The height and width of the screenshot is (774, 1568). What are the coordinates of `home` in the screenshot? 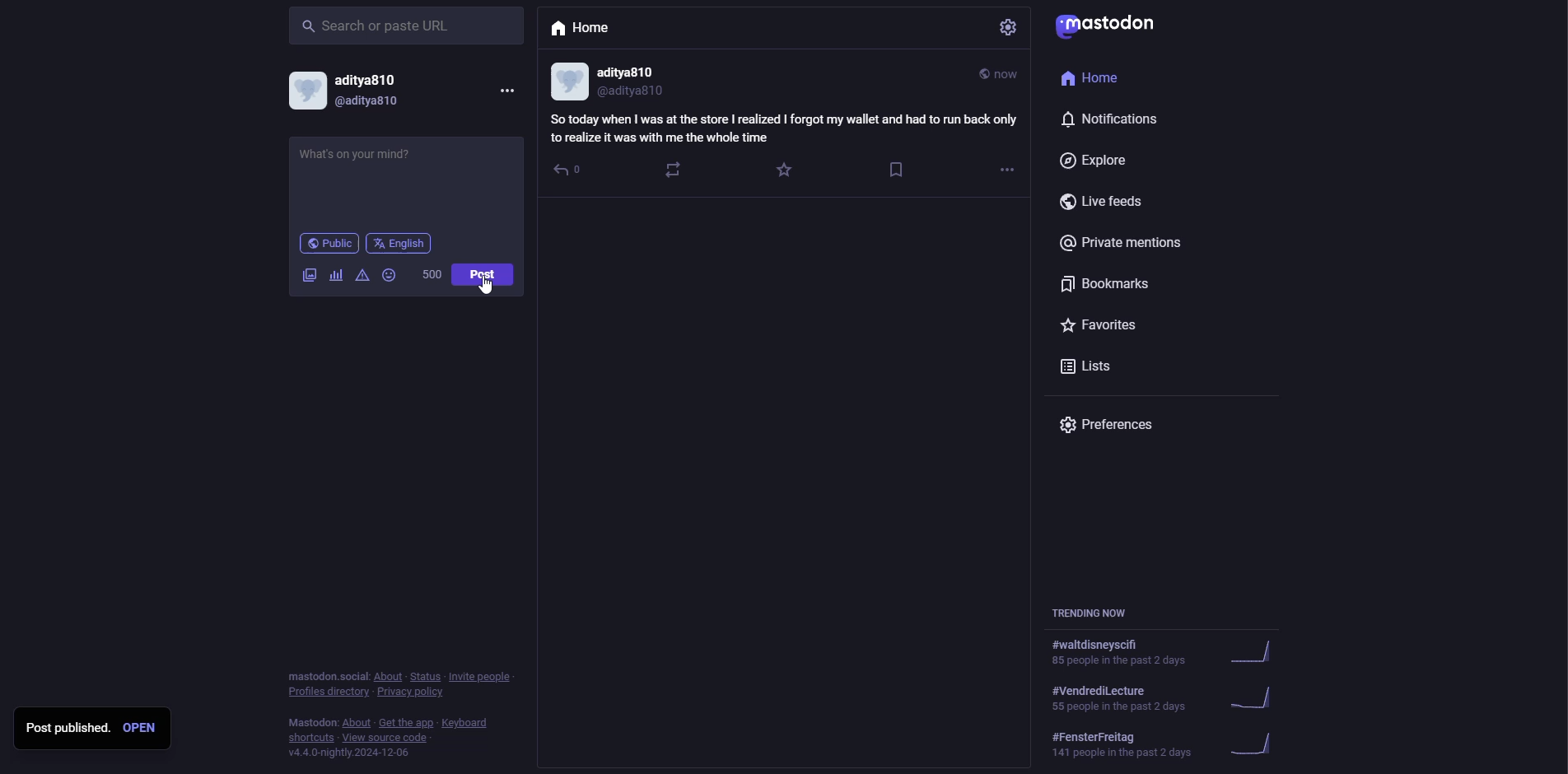 It's located at (583, 31).